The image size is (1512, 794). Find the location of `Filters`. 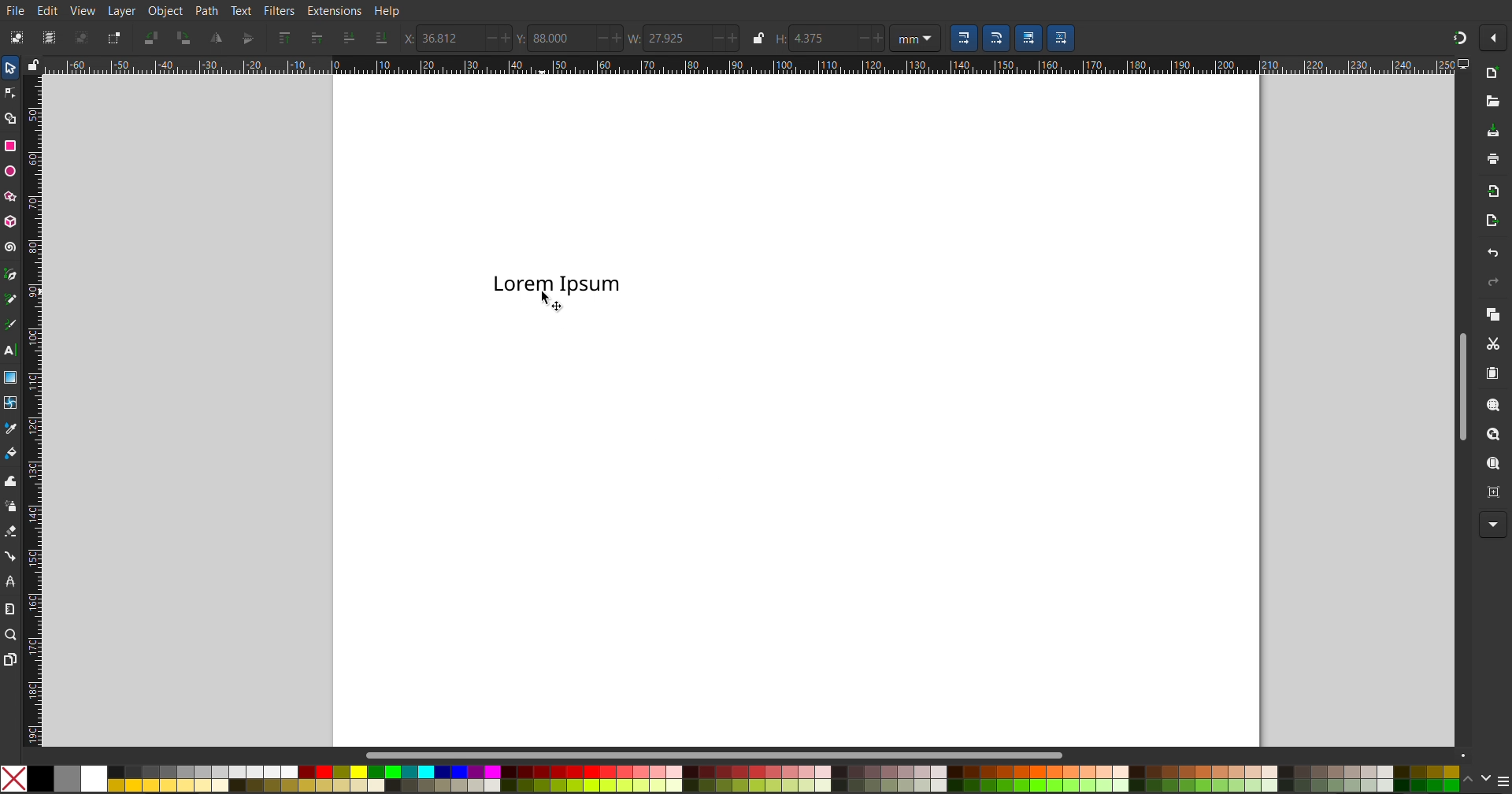

Filters is located at coordinates (281, 11).